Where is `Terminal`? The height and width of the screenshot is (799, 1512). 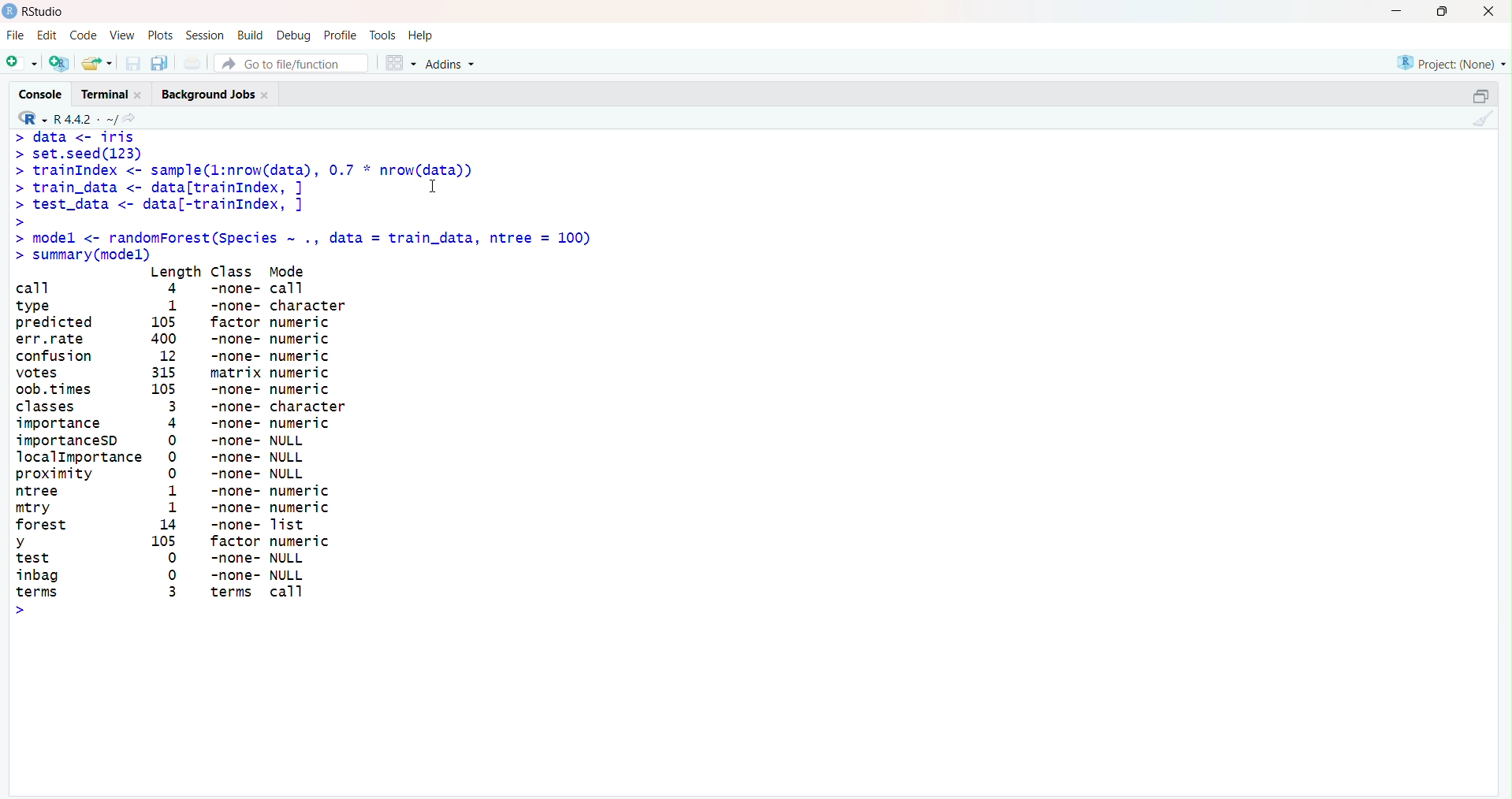 Terminal is located at coordinates (110, 91).